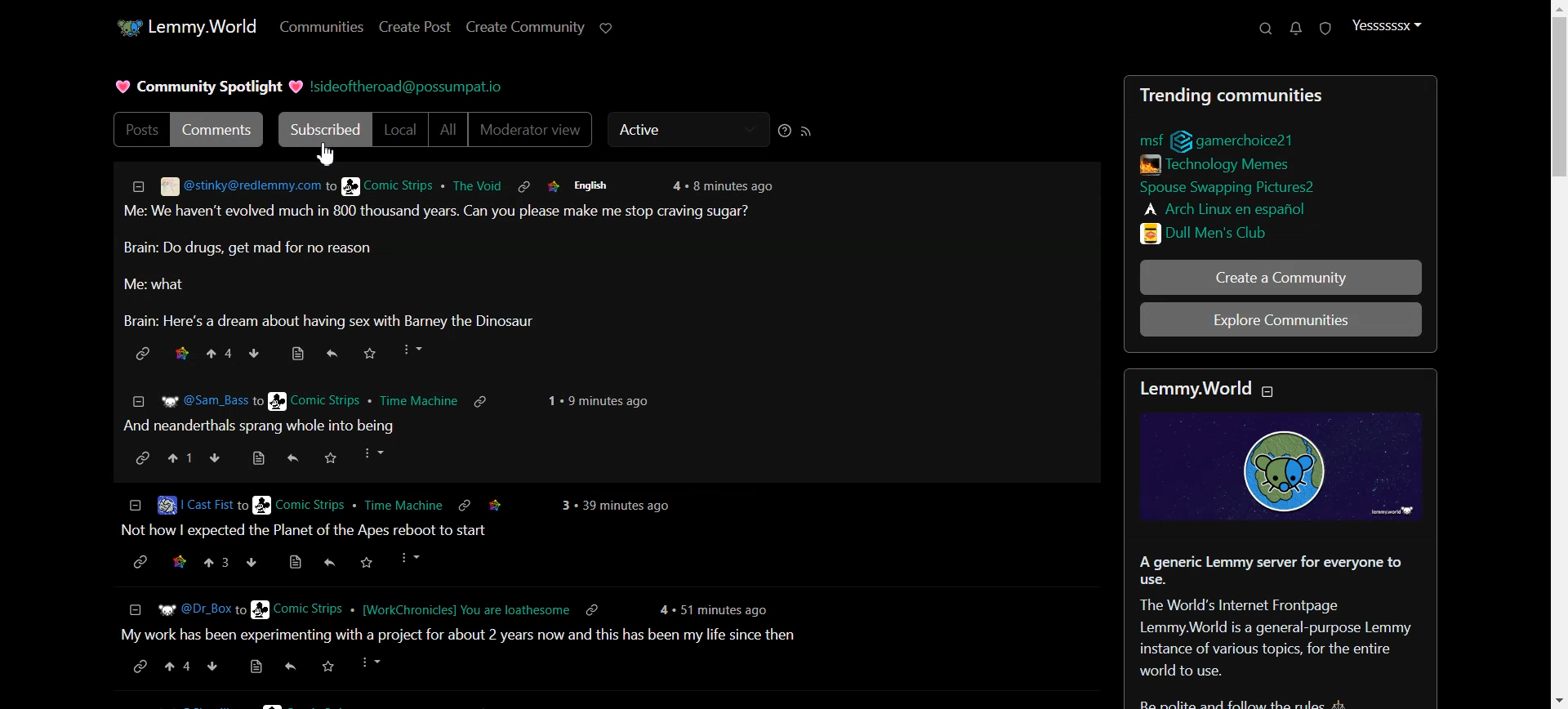 The image size is (1568, 709). I want to click on Subscribed selected, so click(322, 130).